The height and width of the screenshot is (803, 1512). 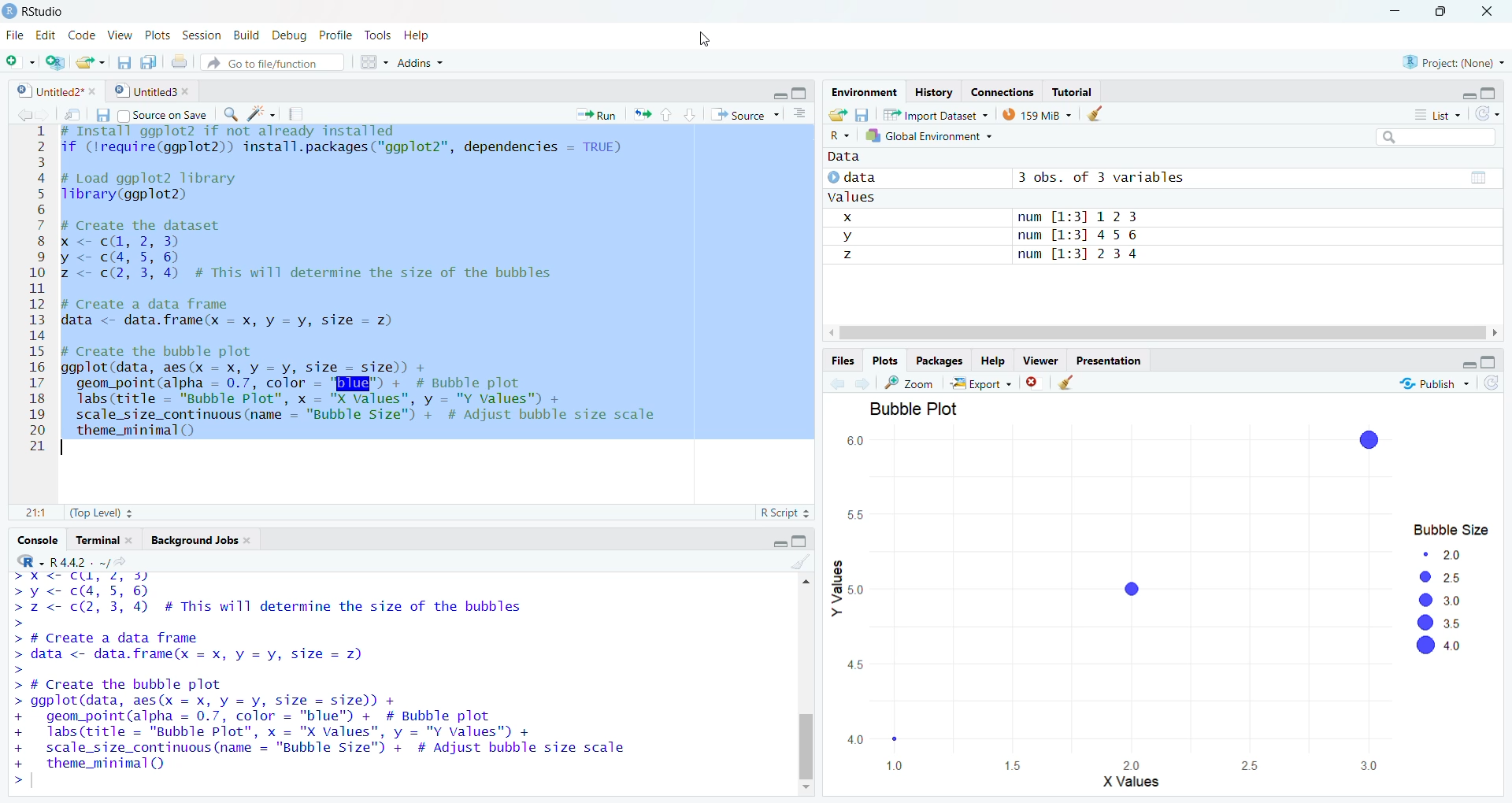 I want to click on Change Project, so click(x=55, y=59).